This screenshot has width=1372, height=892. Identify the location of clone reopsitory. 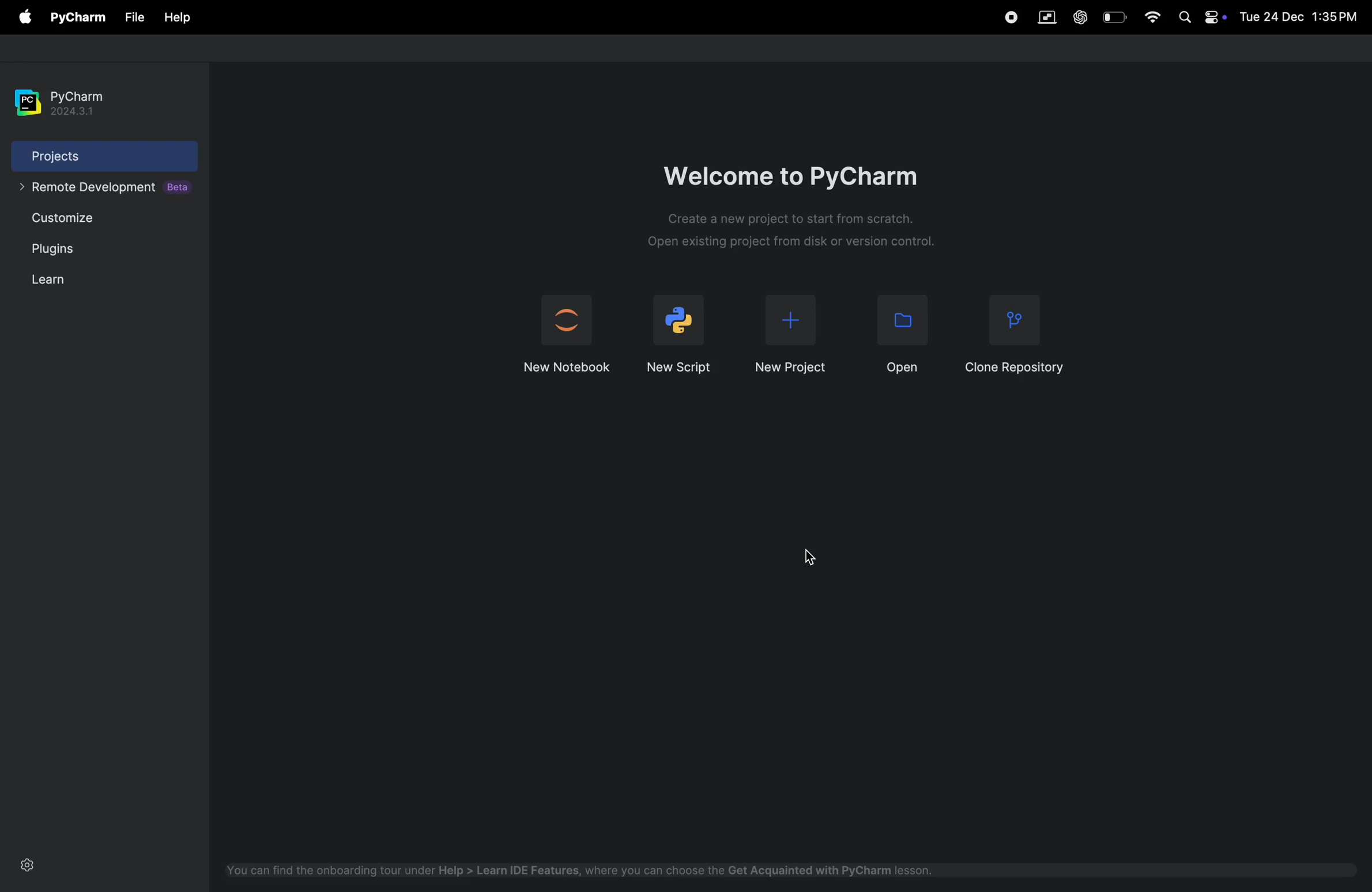
(1015, 334).